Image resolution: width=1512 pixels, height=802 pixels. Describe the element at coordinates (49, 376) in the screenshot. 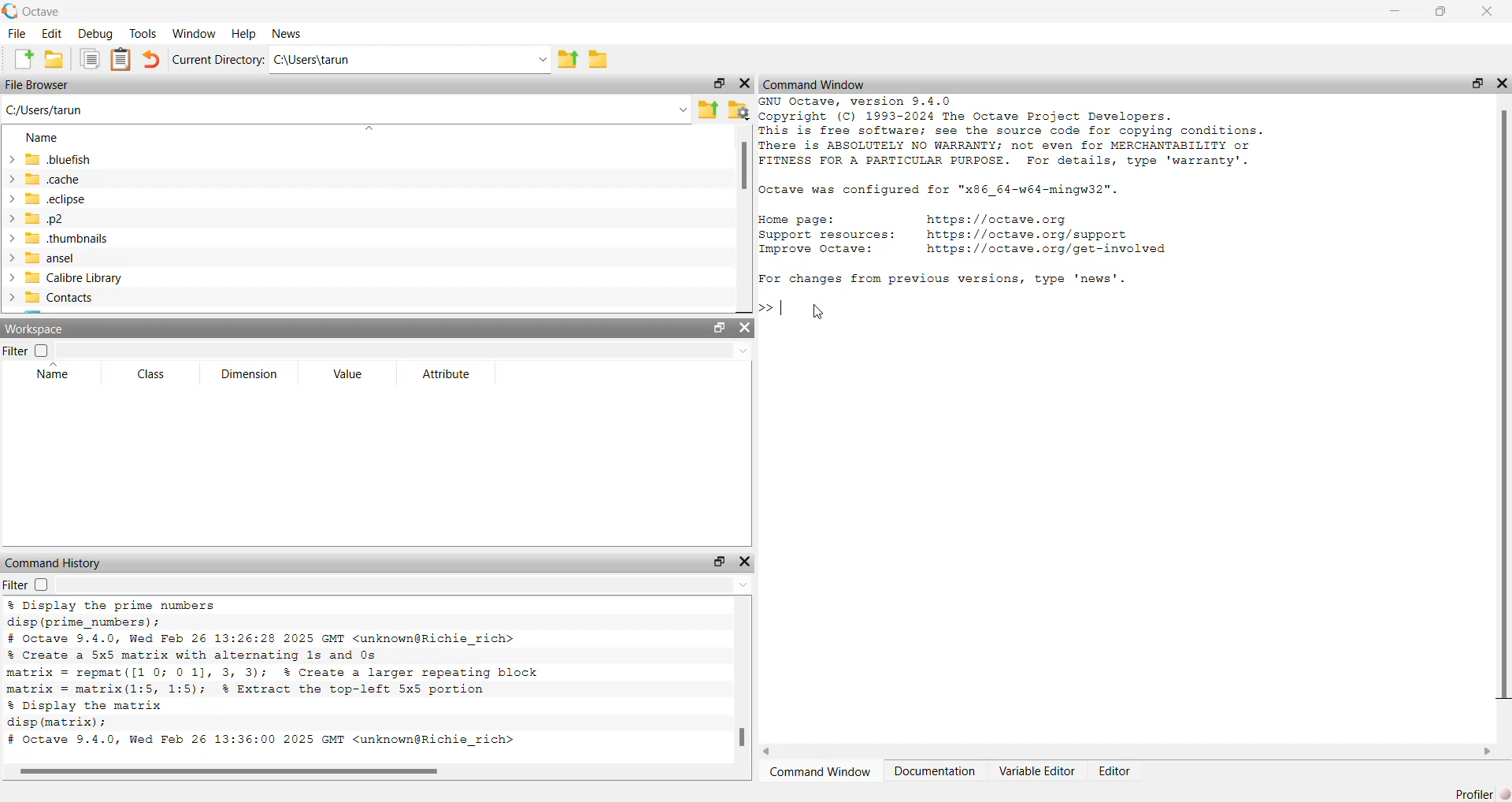

I see `name` at that location.